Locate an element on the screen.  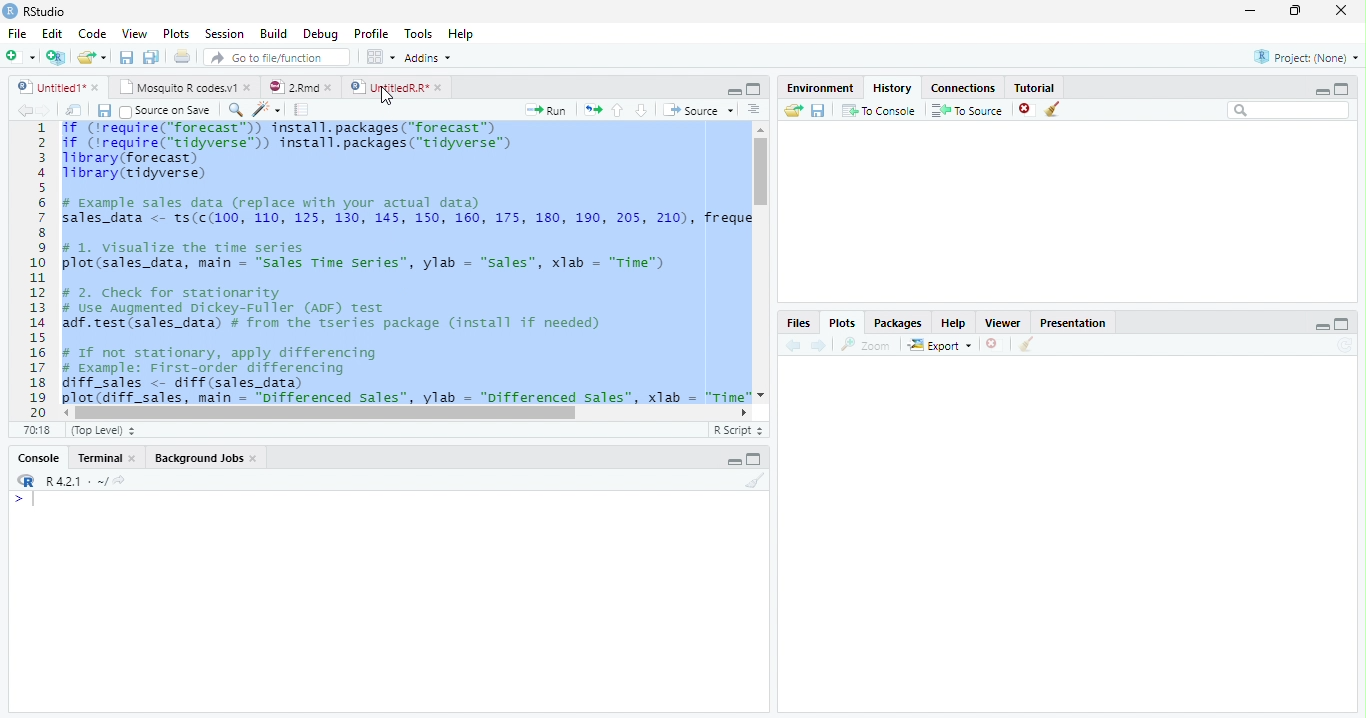
# If not stationary, apply differencing

# Example: First-order differencing

diff_sales <- diff (sales_data)

plot (diff sales. main = "Differenced Sales”. vlab = "Differenced sales”. xlab = "Time" is located at coordinates (405, 375).